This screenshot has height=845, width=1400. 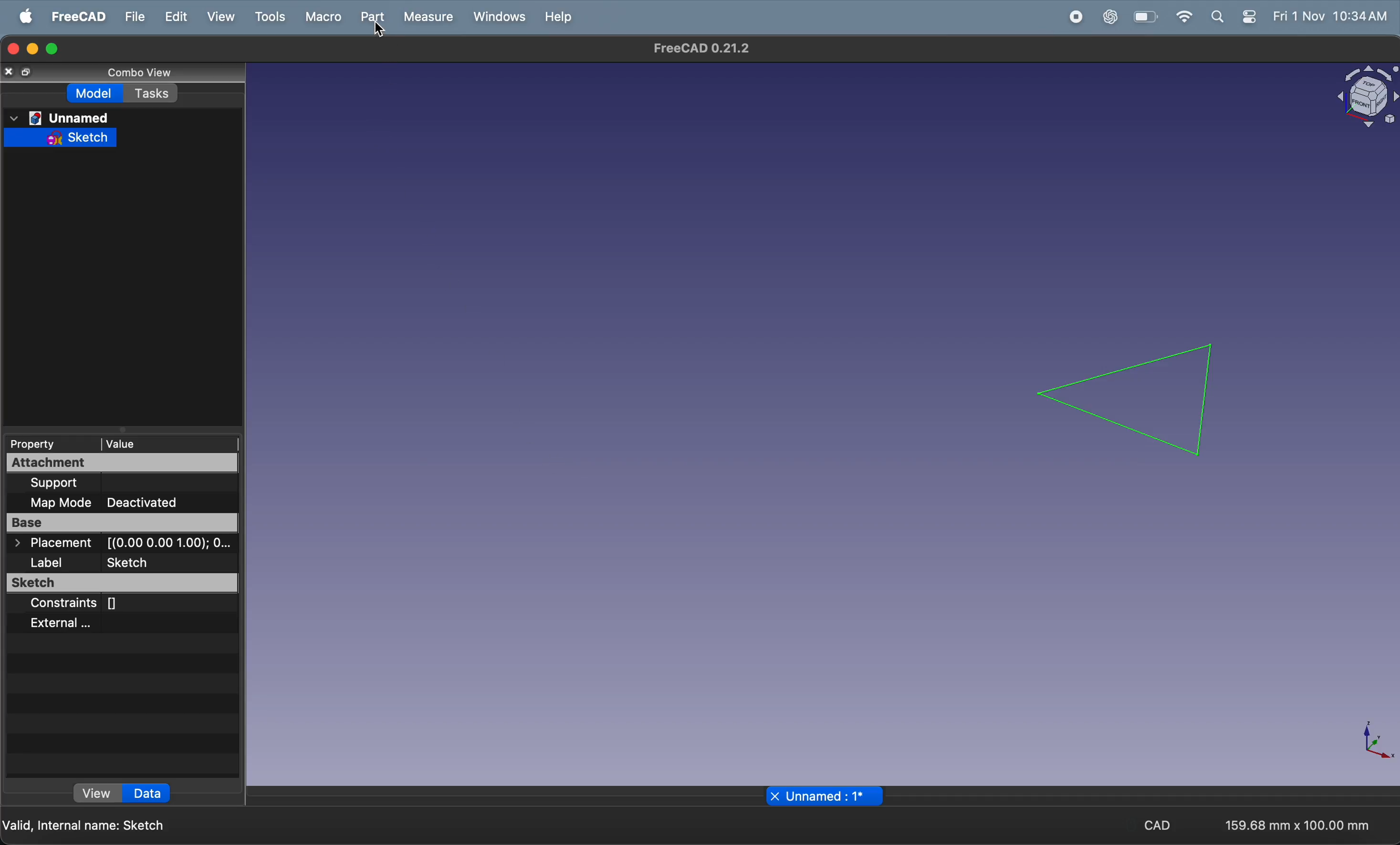 What do you see at coordinates (123, 584) in the screenshot?
I see `sketch` at bounding box center [123, 584].